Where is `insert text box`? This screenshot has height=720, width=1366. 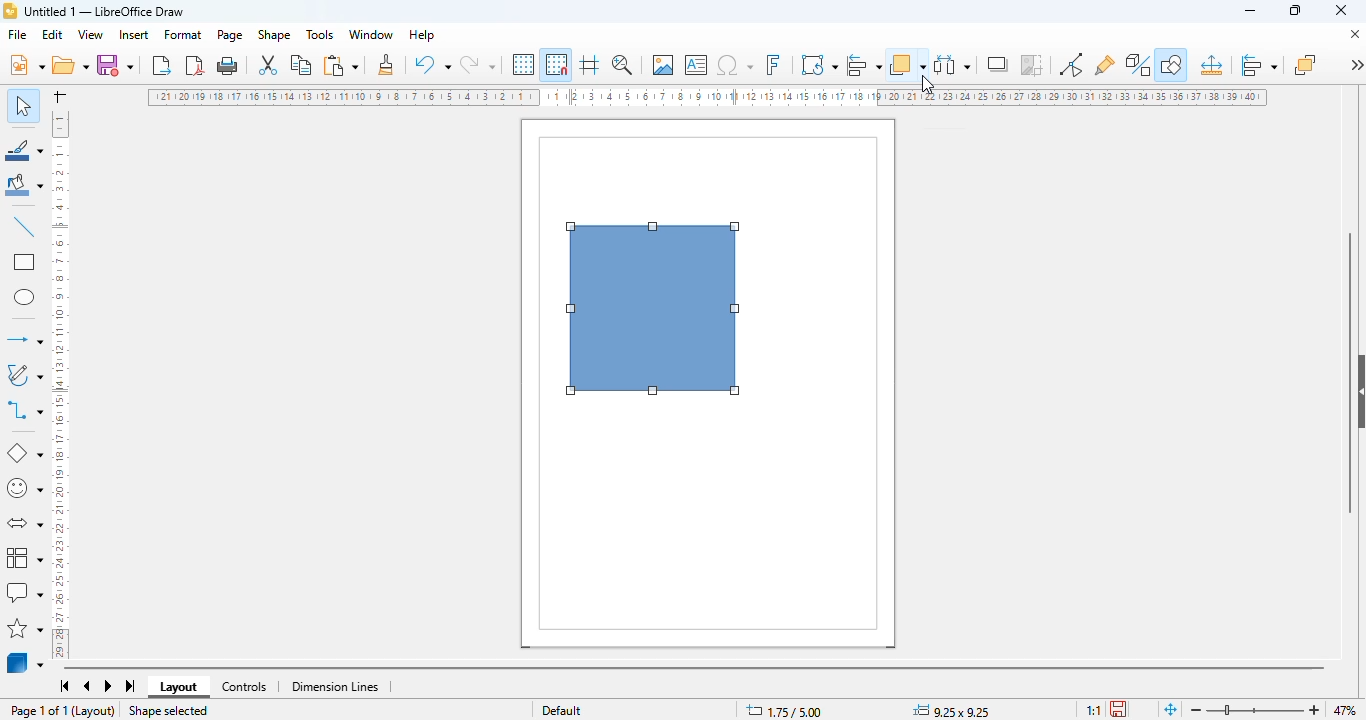 insert text box is located at coordinates (697, 65).